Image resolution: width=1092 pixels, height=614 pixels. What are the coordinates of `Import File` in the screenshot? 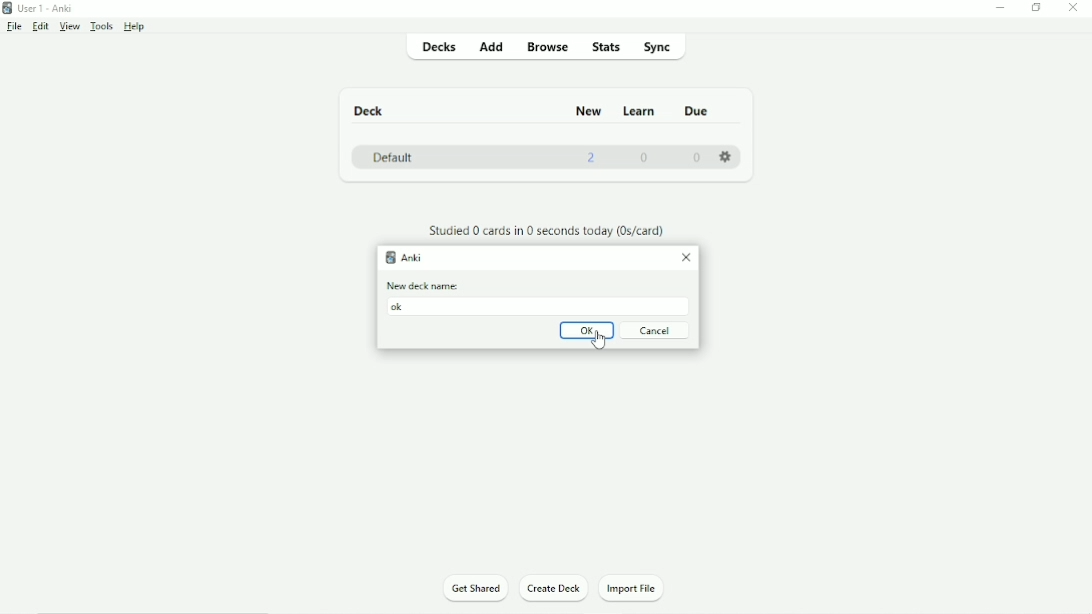 It's located at (639, 588).